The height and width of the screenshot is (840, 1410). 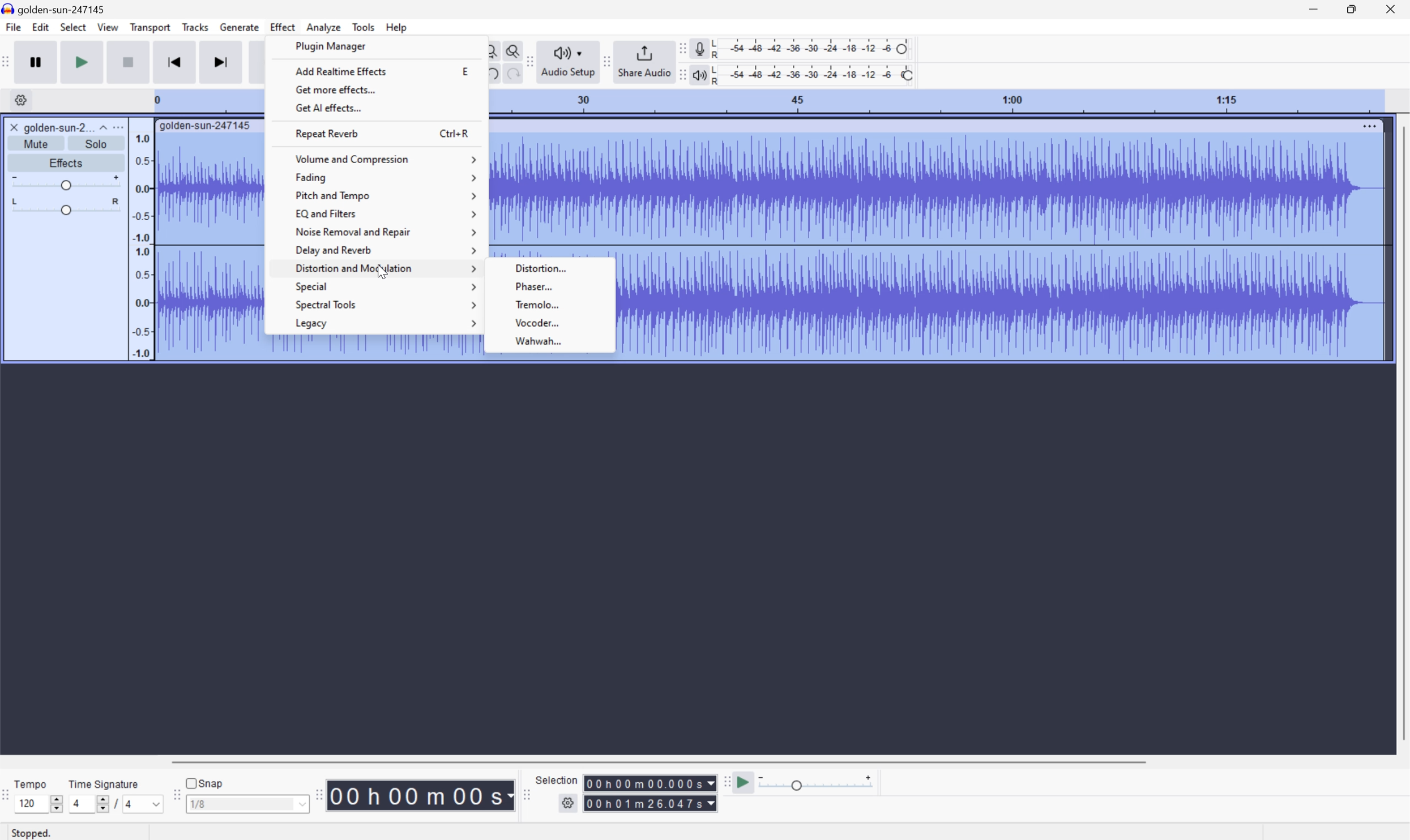 What do you see at coordinates (567, 804) in the screenshot?
I see `Settings` at bounding box center [567, 804].